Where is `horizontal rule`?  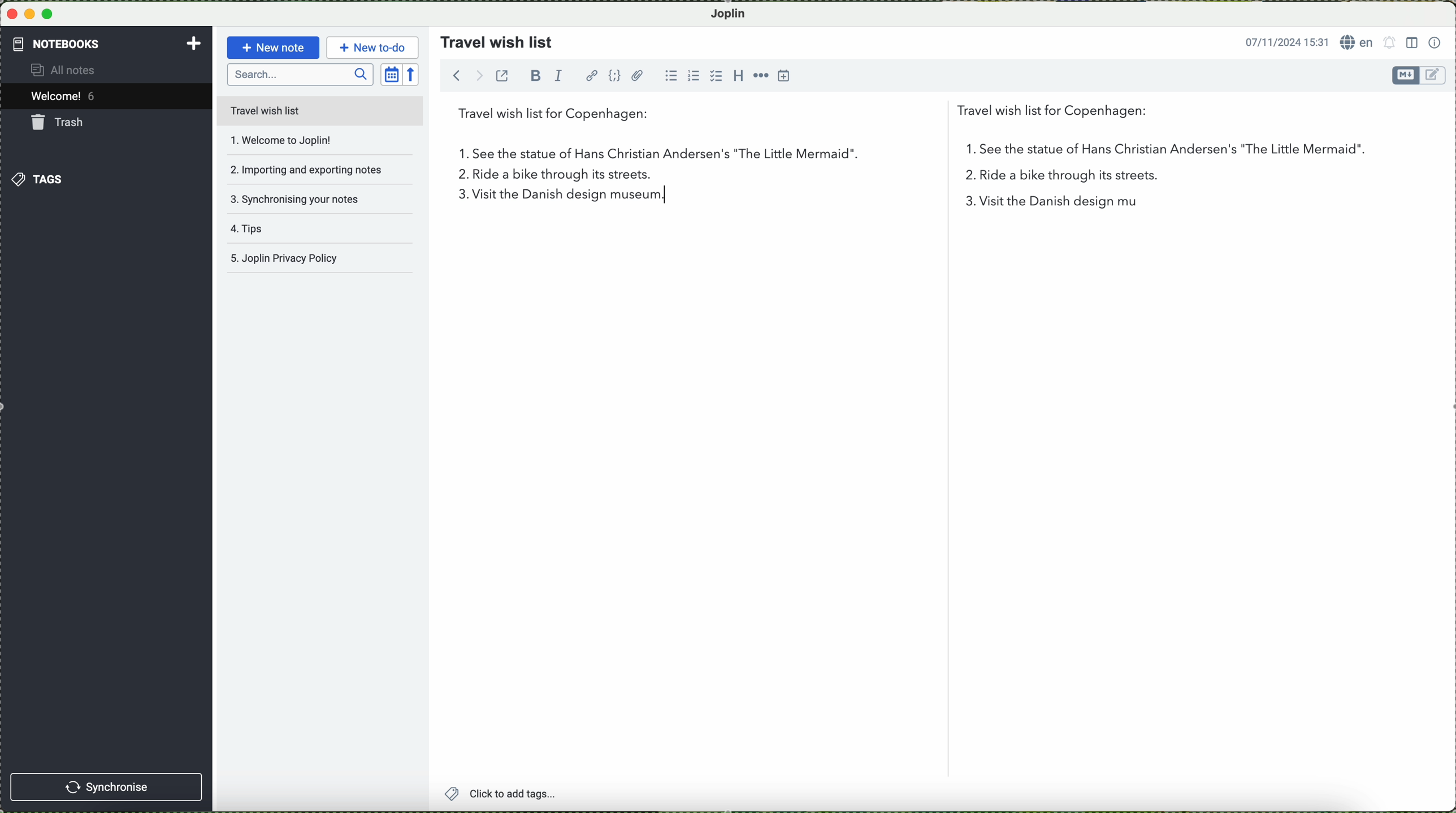
horizontal rule is located at coordinates (760, 75).